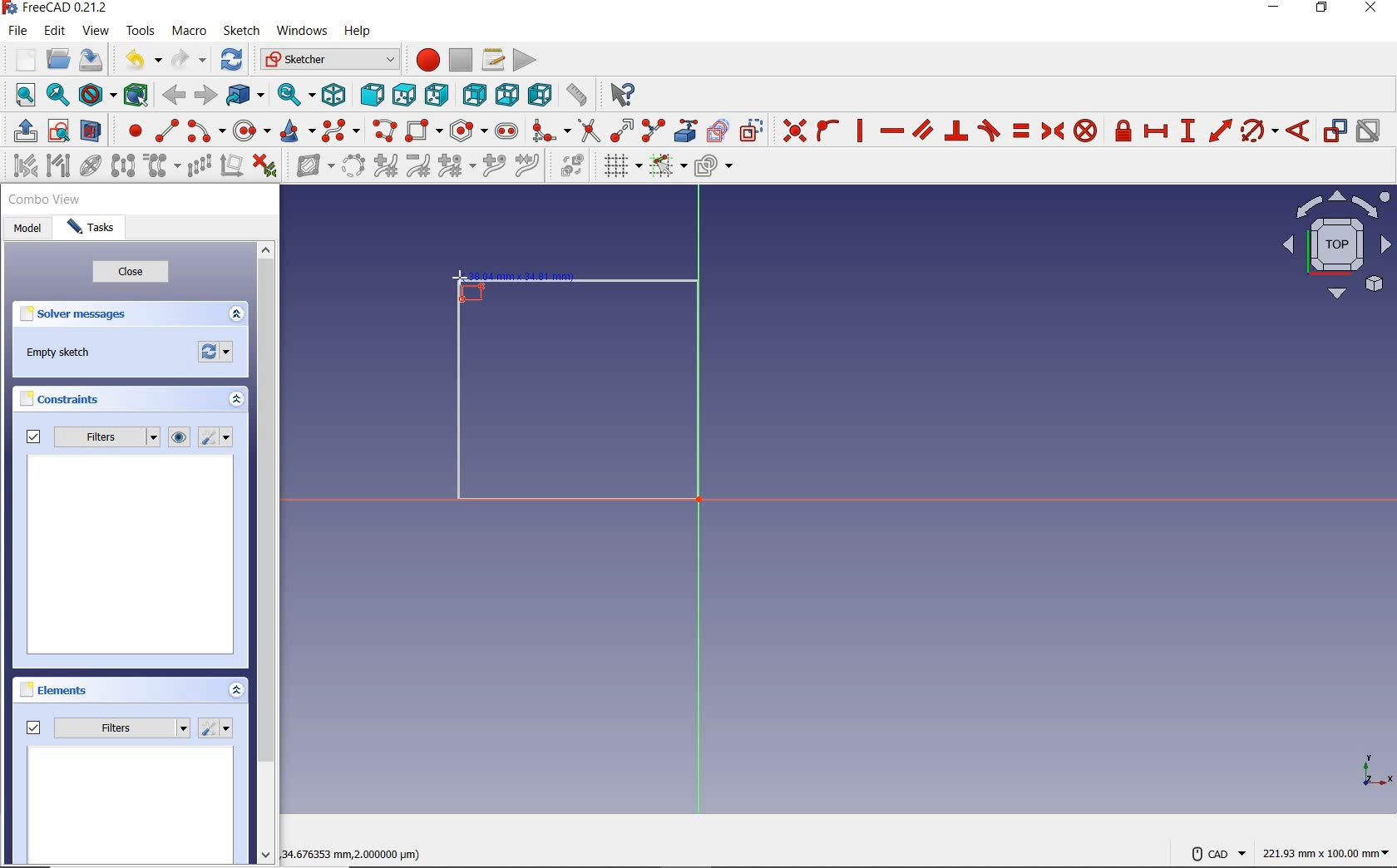 The width and height of the screenshot is (1397, 868). I want to click on fit all, so click(21, 94).